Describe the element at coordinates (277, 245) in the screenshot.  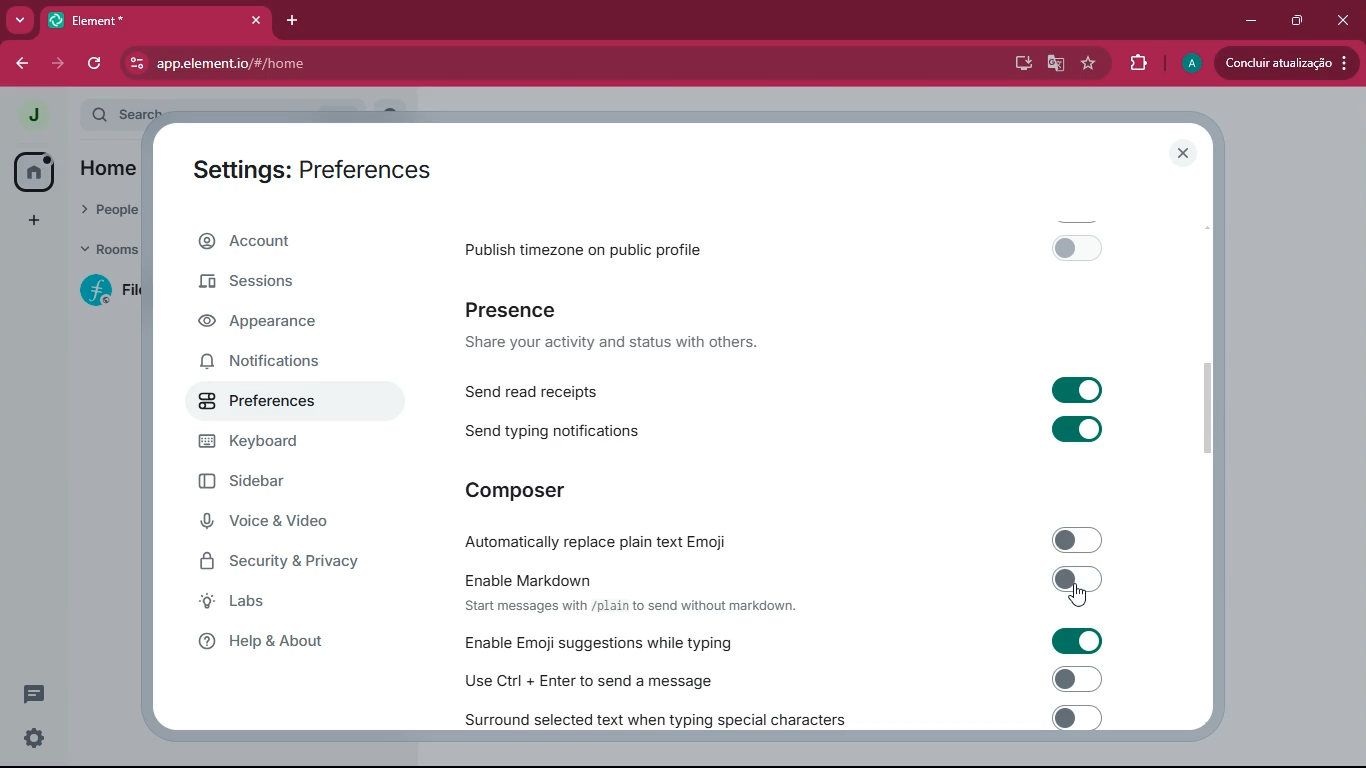
I see `account` at that location.